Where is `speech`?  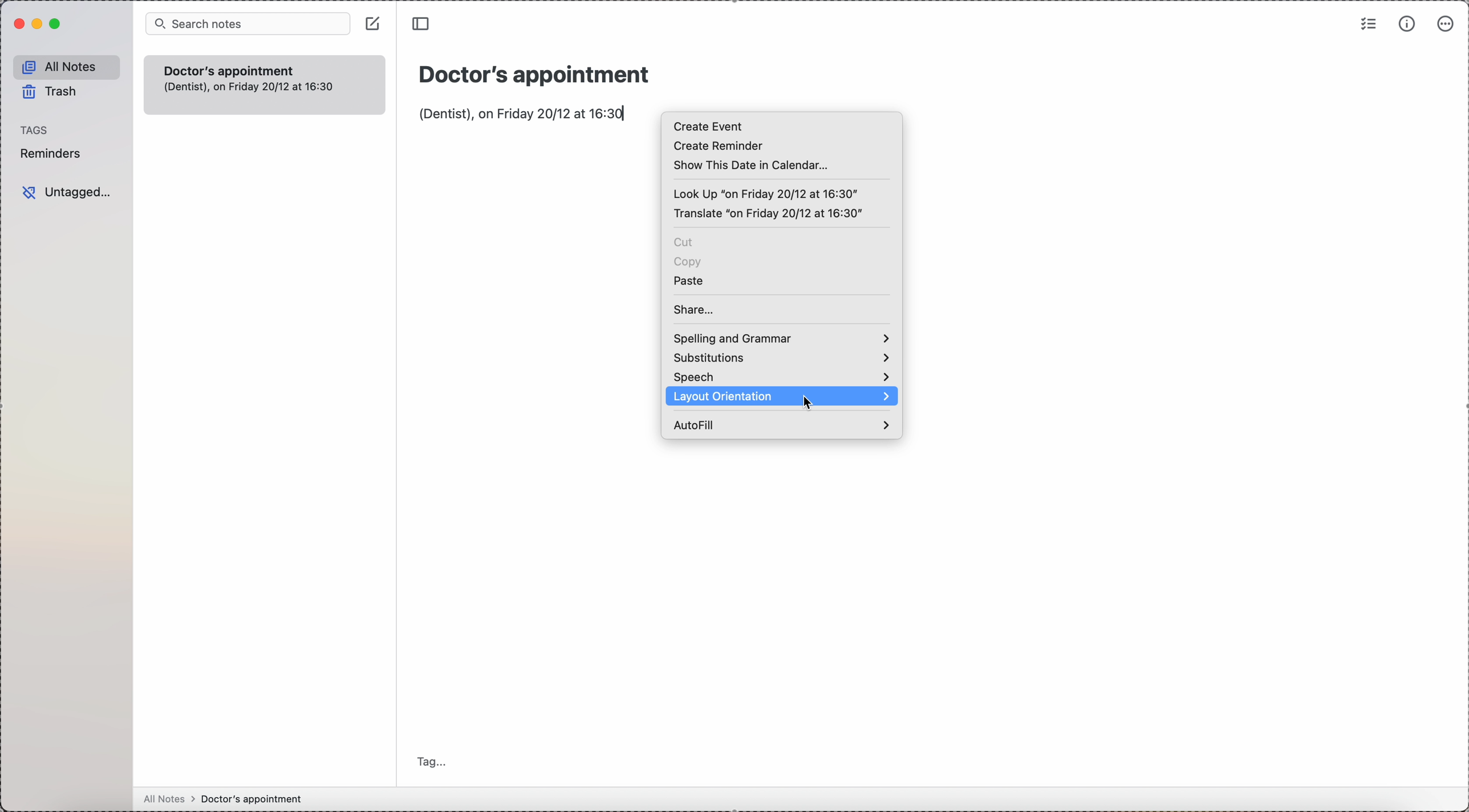 speech is located at coordinates (780, 377).